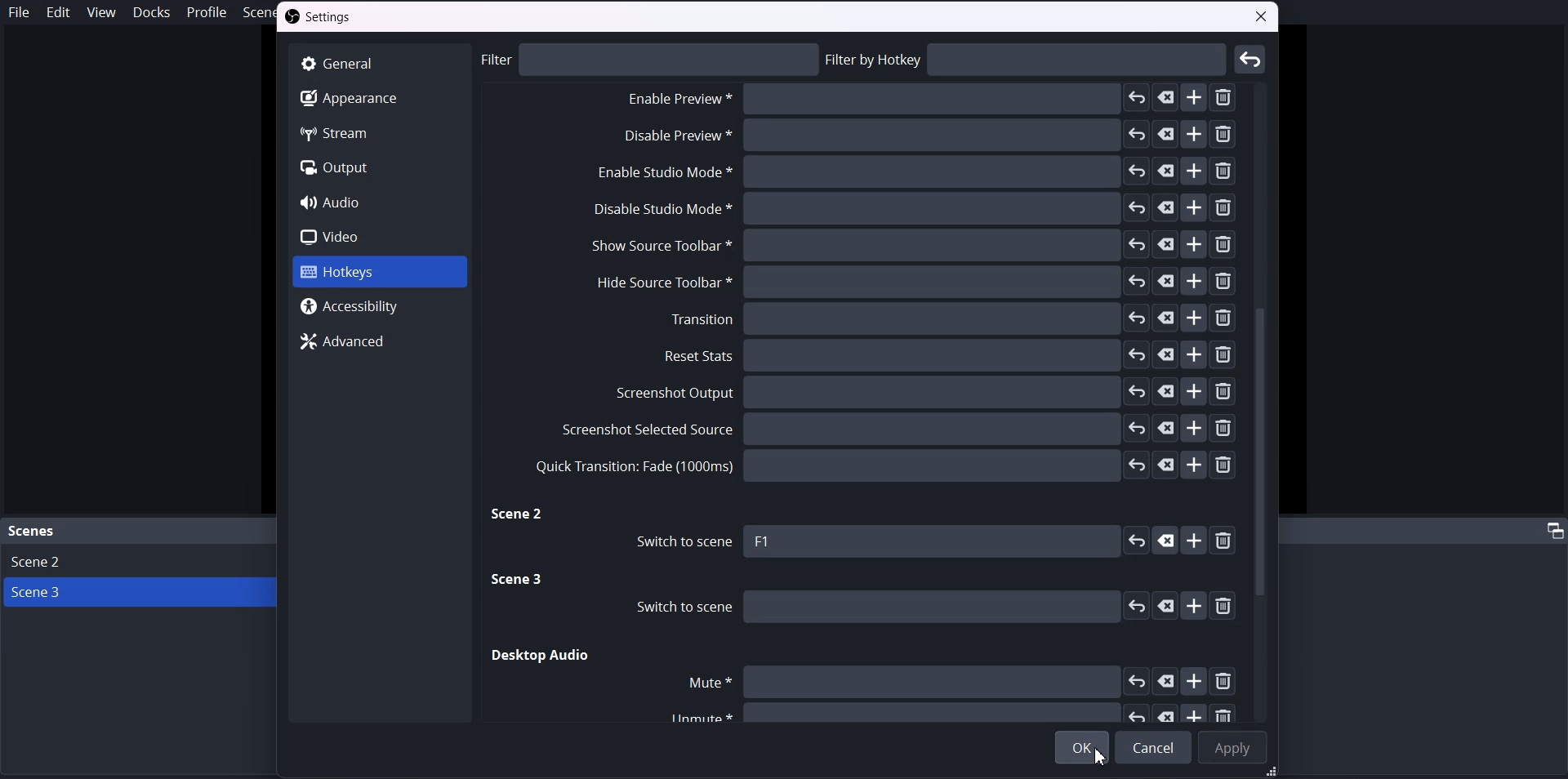 The width and height of the screenshot is (1568, 779). Describe the element at coordinates (944, 713) in the screenshot. I see `Unmute` at that location.